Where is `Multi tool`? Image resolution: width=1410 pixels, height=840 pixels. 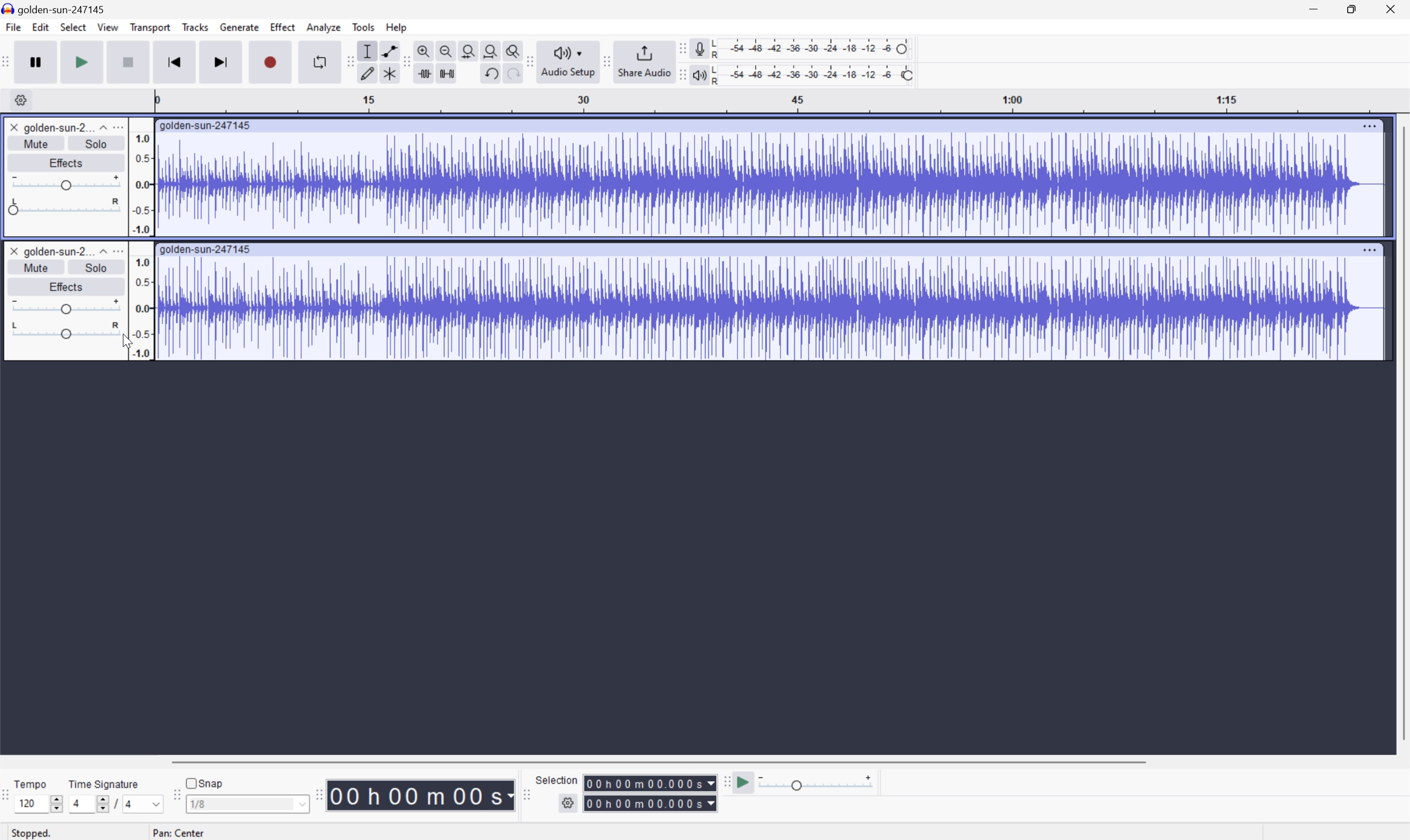 Multi tool is located at coordinates (389, 72).